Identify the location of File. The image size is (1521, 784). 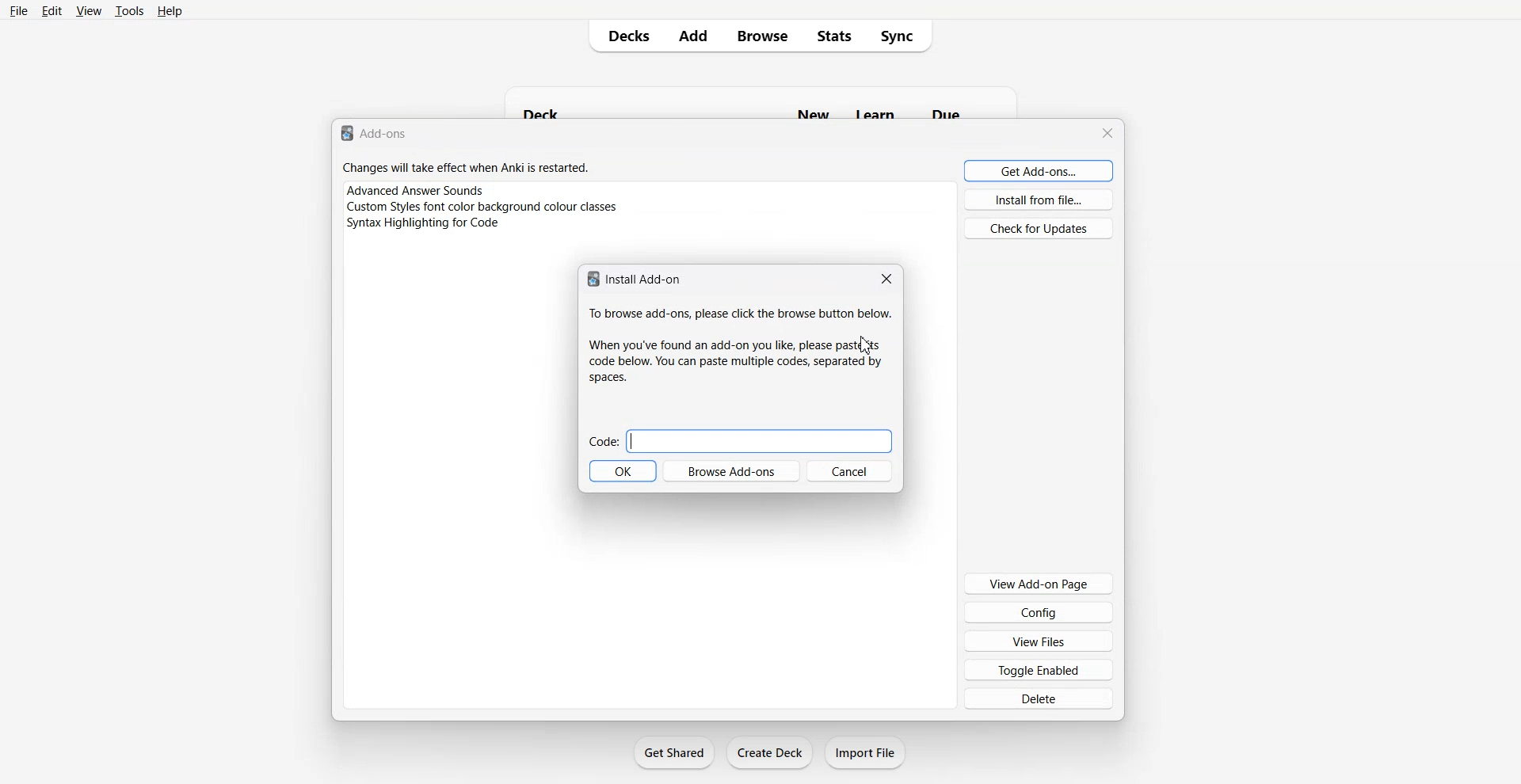
(20, 10).